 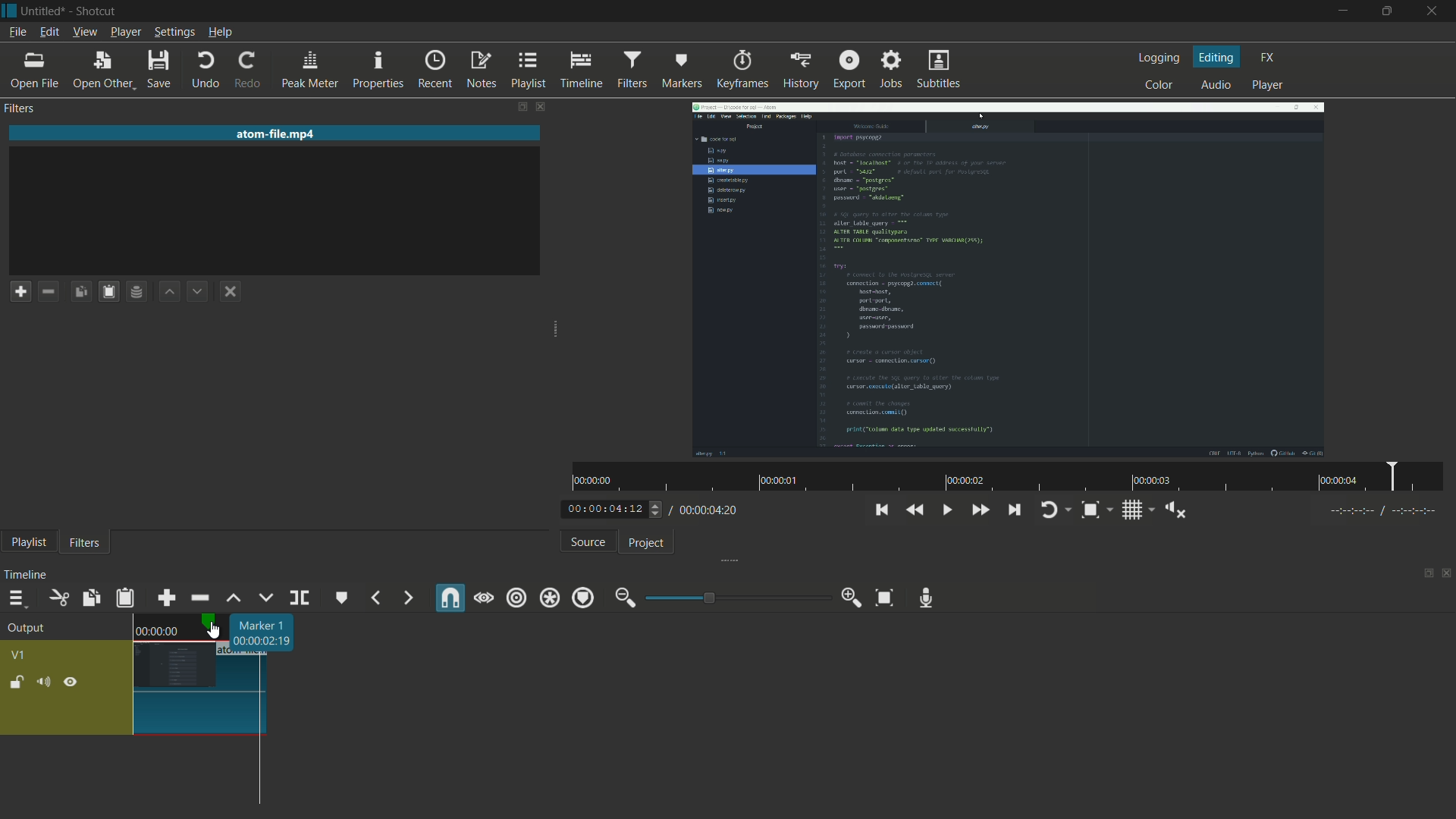 I want to click on imported file name, so click(x=277, y=134).